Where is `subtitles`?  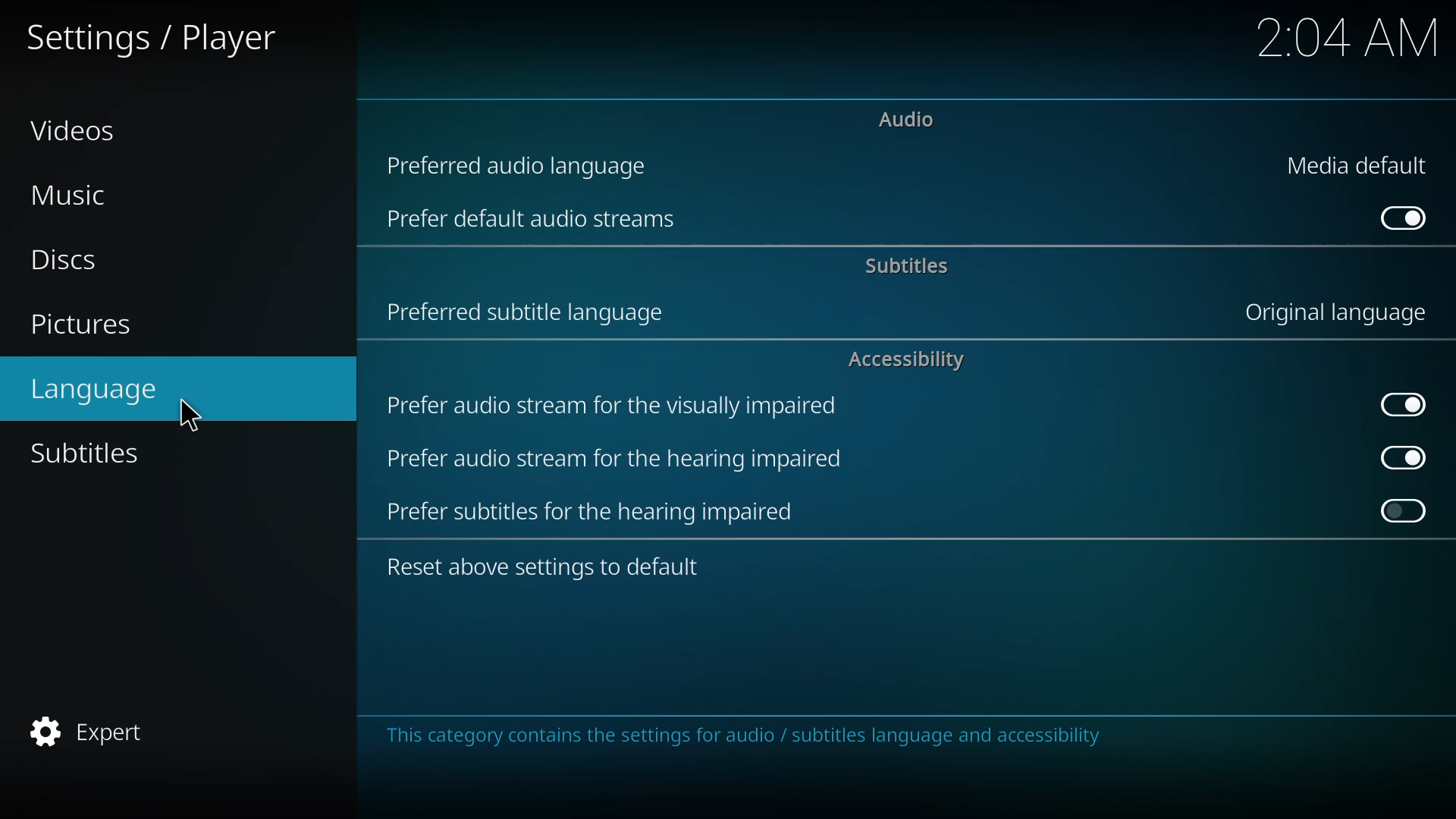
subtitles is located at coordinates (88, 453).